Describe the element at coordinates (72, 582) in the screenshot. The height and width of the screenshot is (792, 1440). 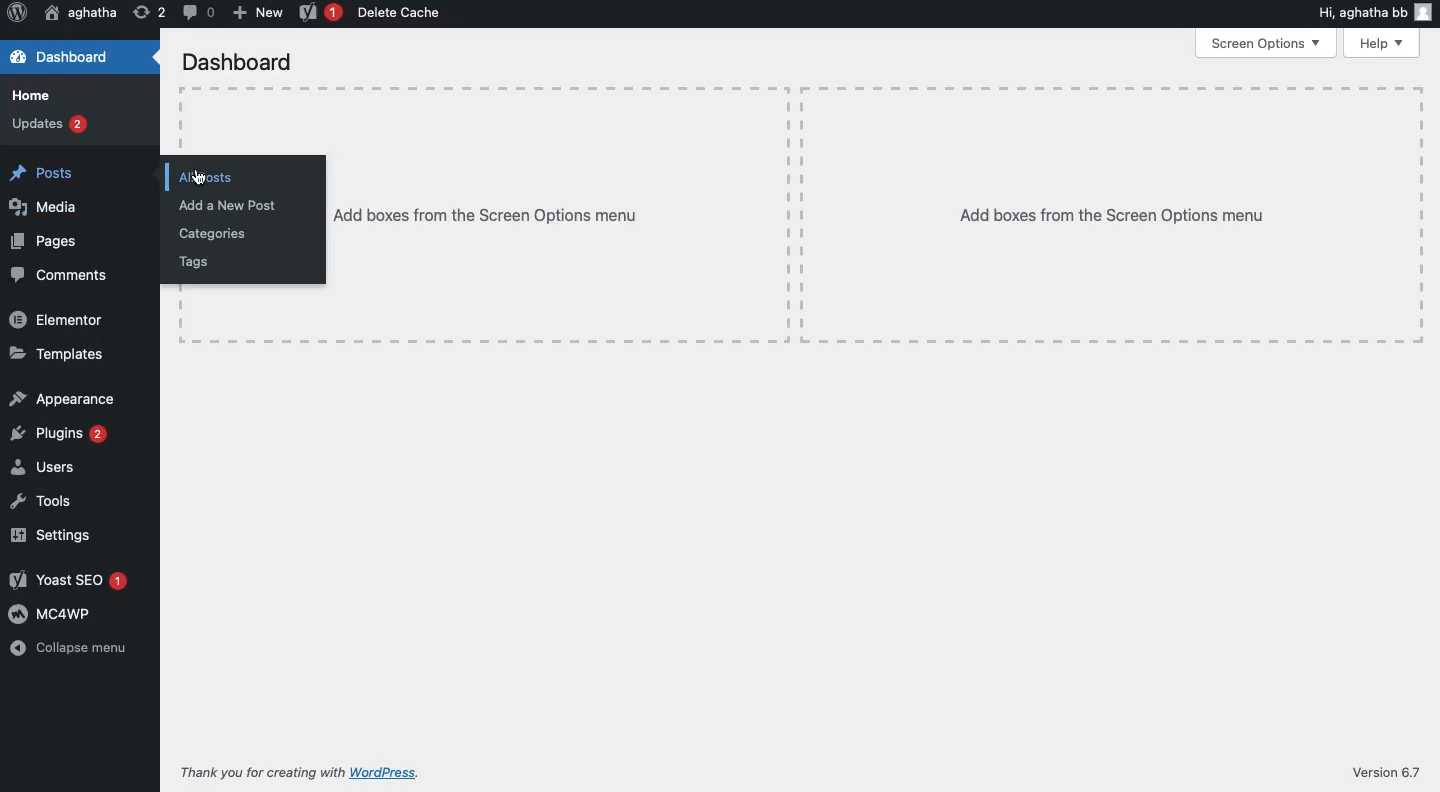
I see `Yoast SEO 1` at that location.